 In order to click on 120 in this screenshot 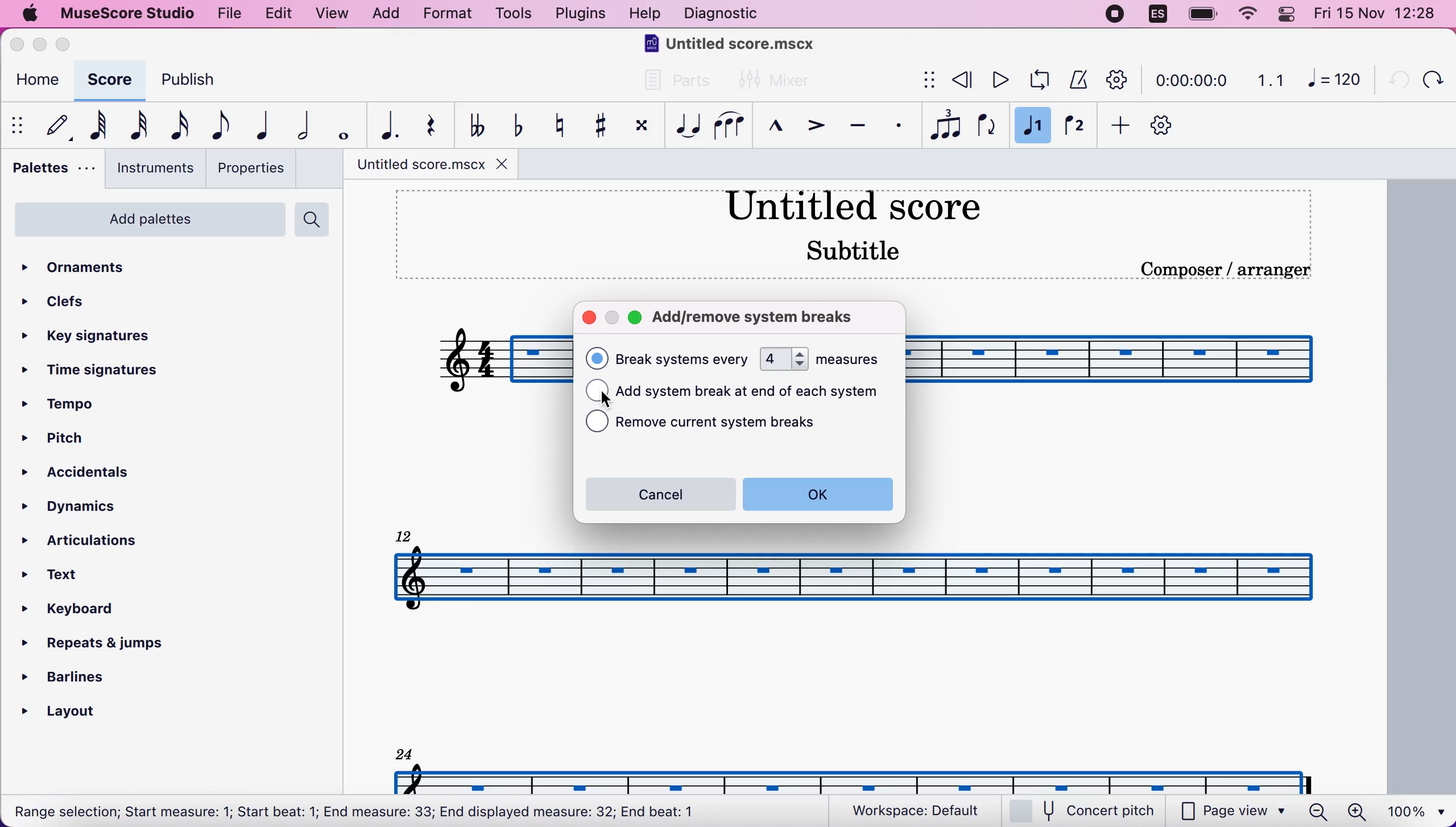, I will do `click(1334, 78)`.